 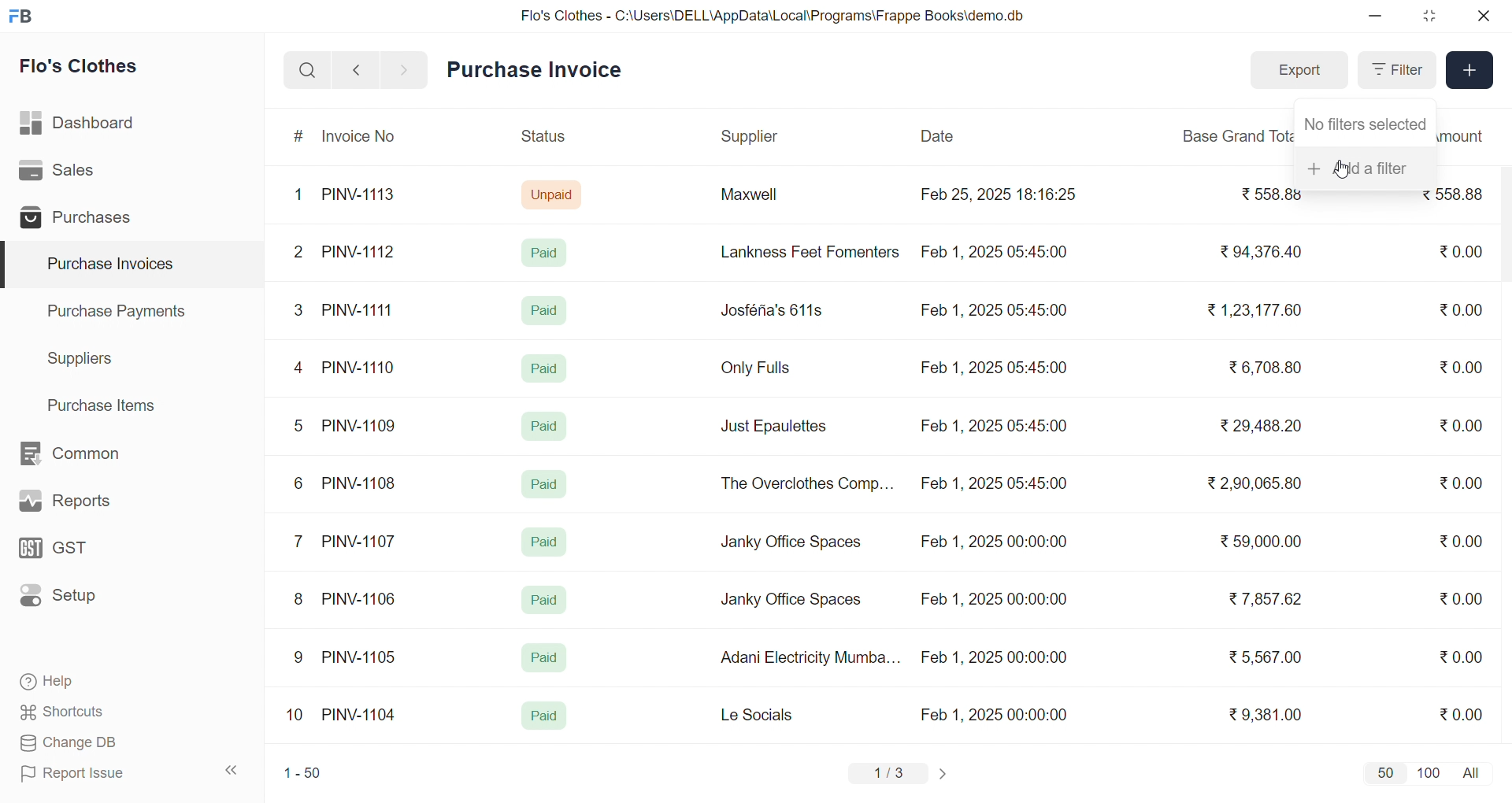 I want to click on 7, so click(x=302, y=540).